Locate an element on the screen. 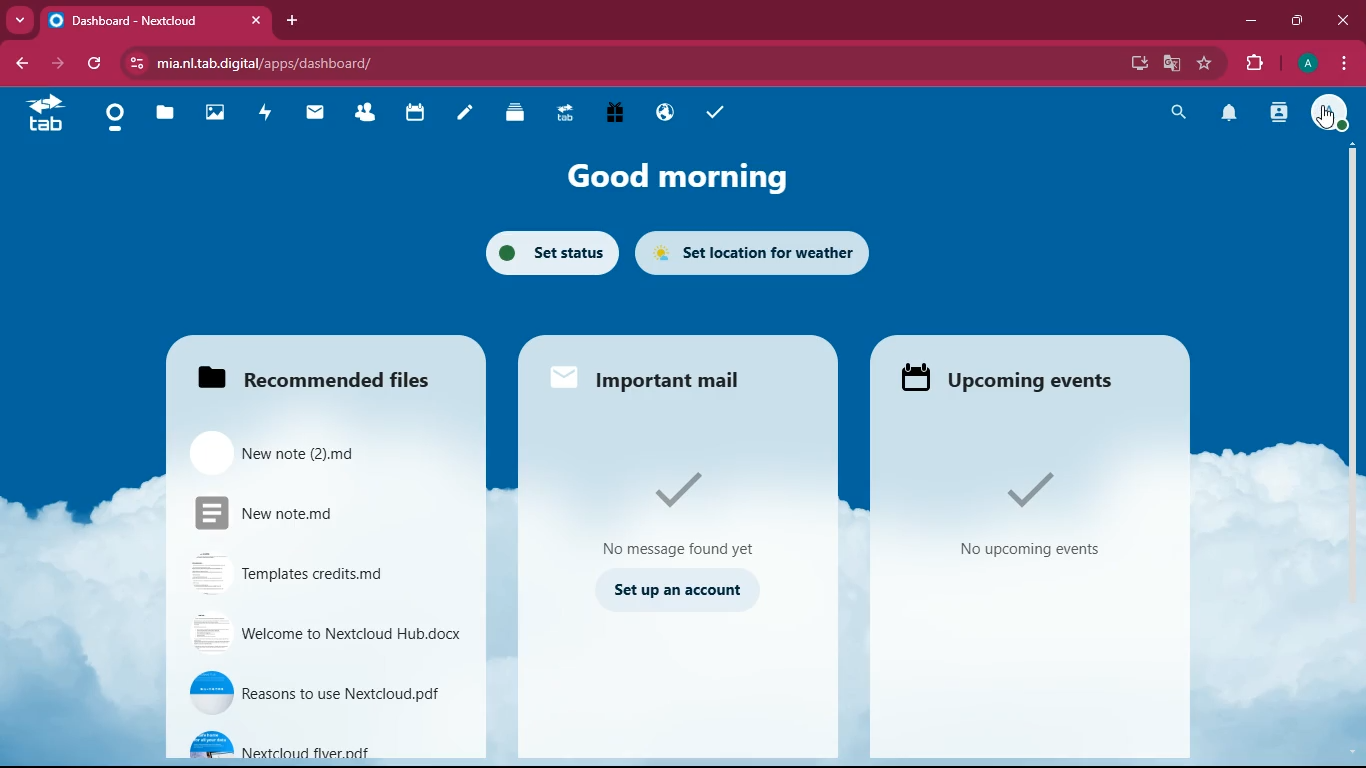 This screenshot has height=768, width=1366. set location for weather is located at coordinates (756, 250).